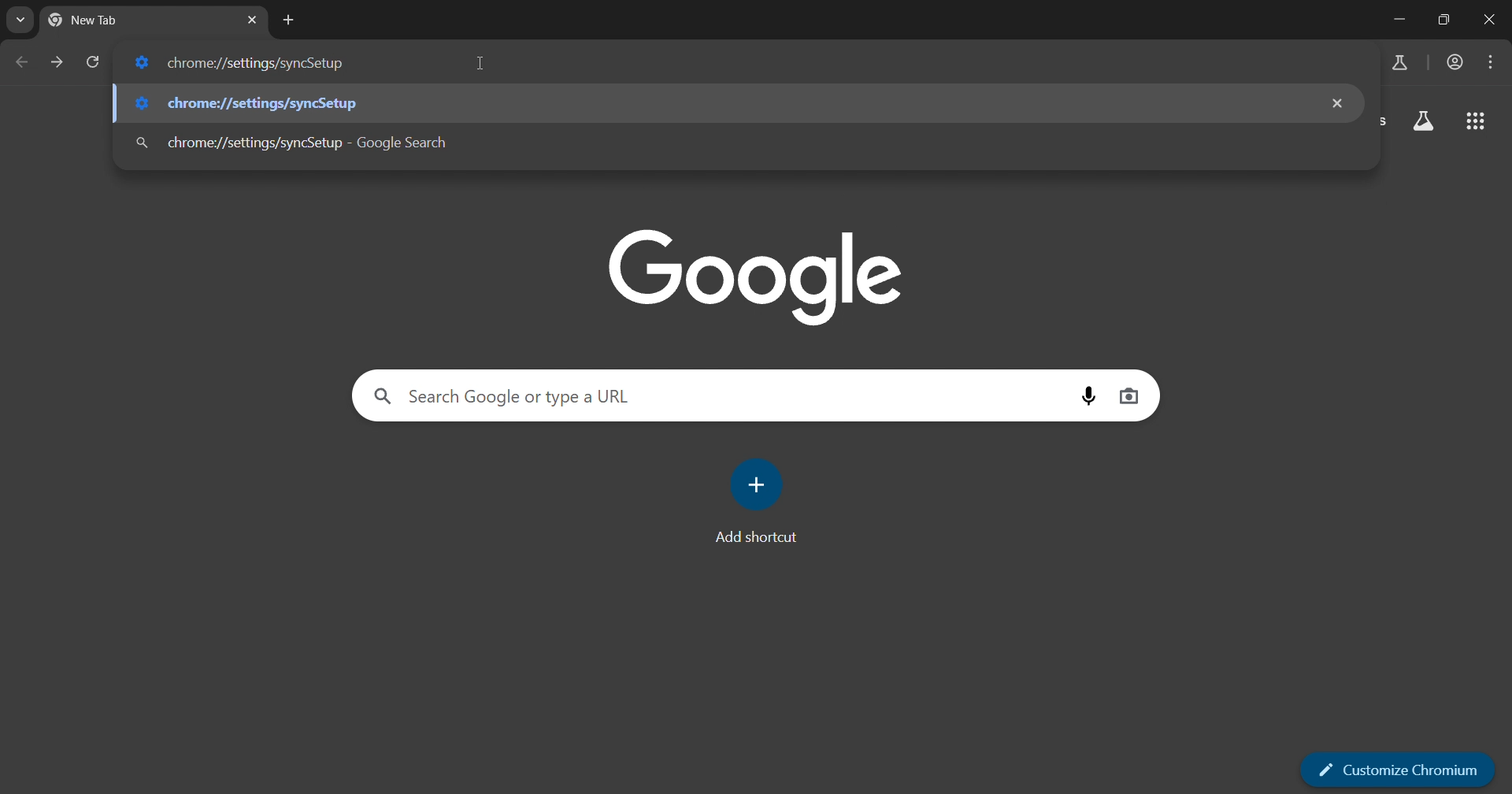  Describe the element at coordinates (1479, 121) in the screenshot. I see `google apps` at that location.